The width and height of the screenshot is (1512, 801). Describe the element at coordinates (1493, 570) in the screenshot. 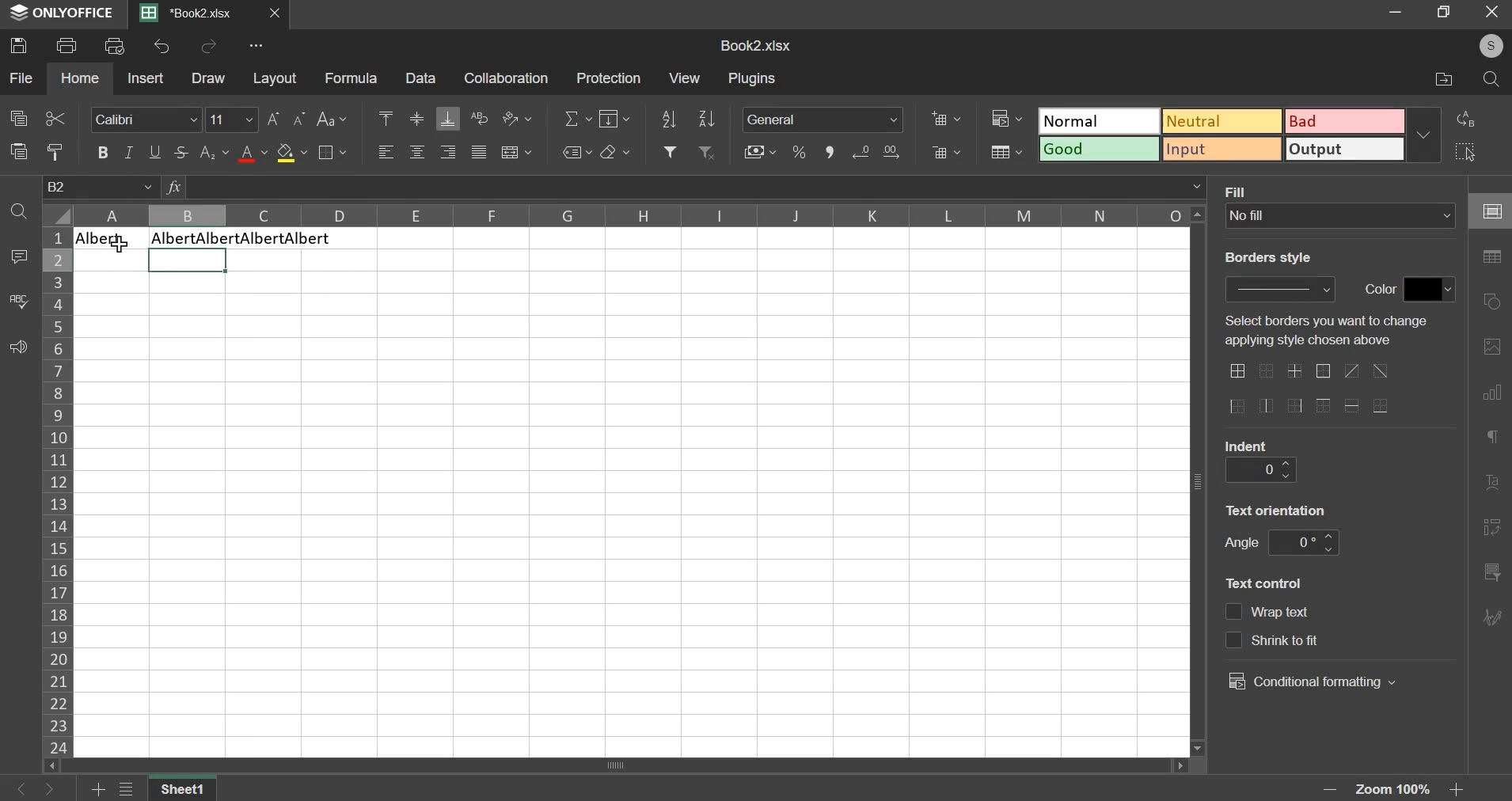

I see `slicer settings` at that location.